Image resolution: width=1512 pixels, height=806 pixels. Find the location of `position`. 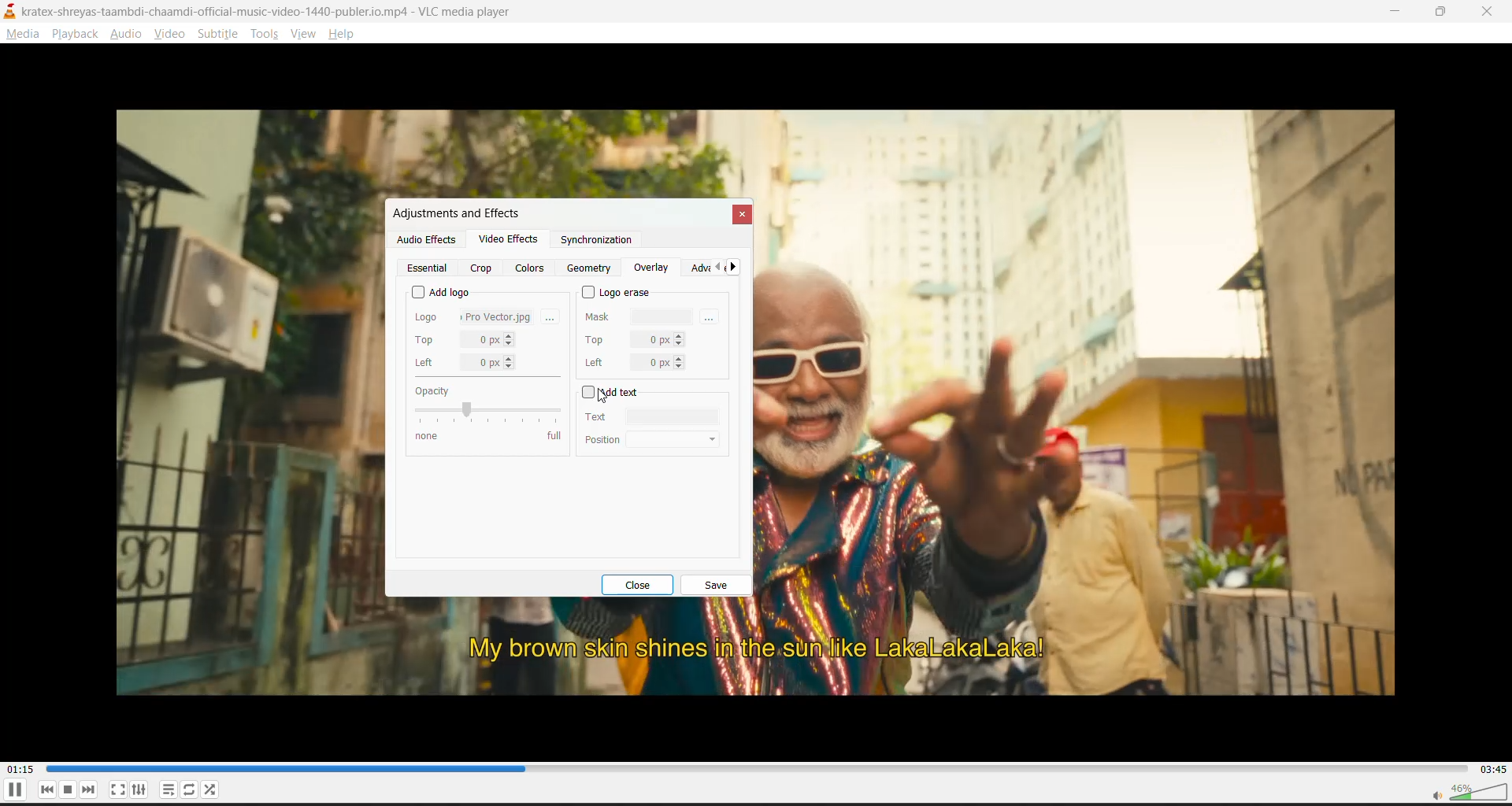

position is located at coordinates (655, 438).